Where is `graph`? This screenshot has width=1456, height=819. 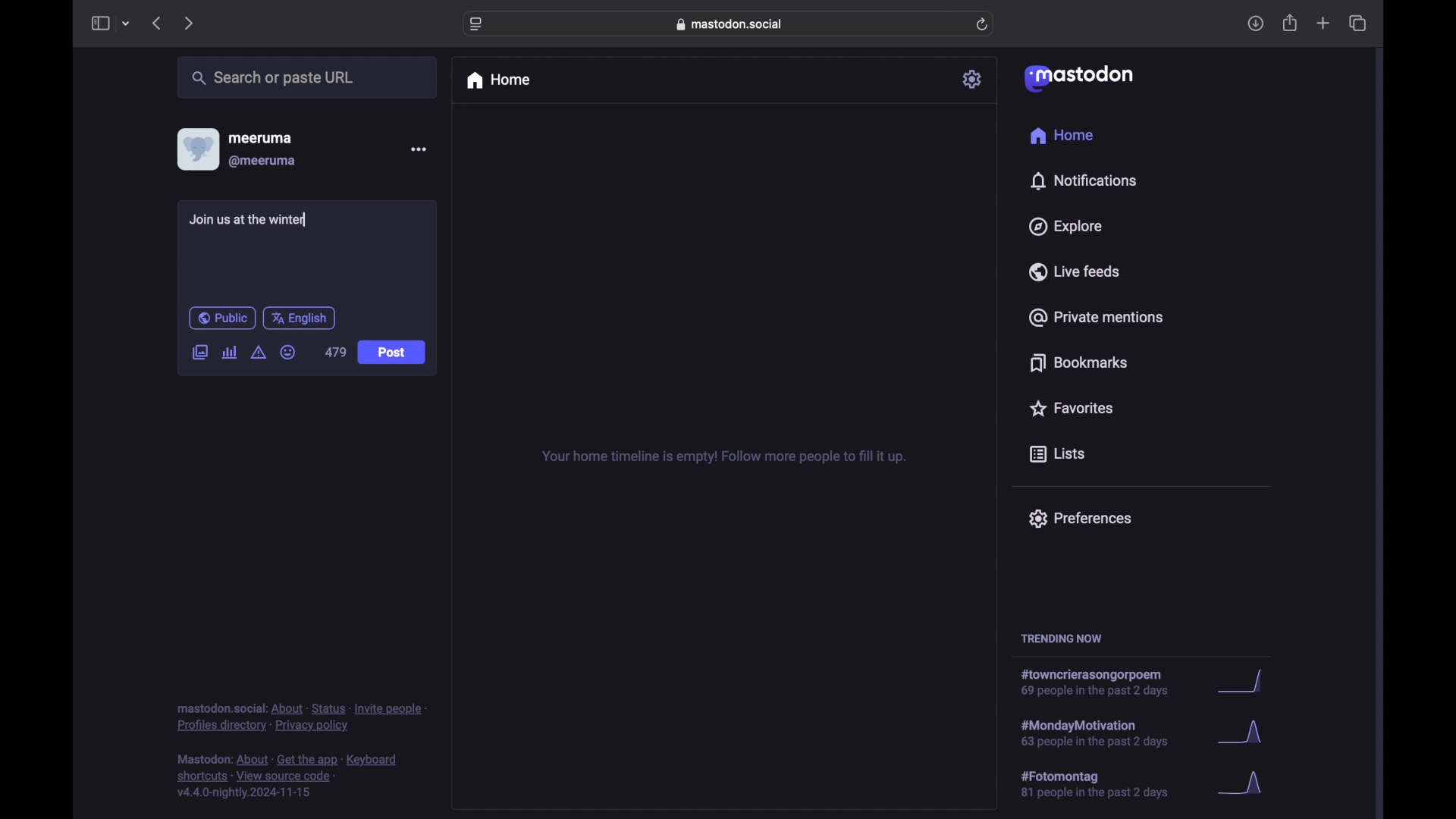
graph is located at coordinates (1244, 682).